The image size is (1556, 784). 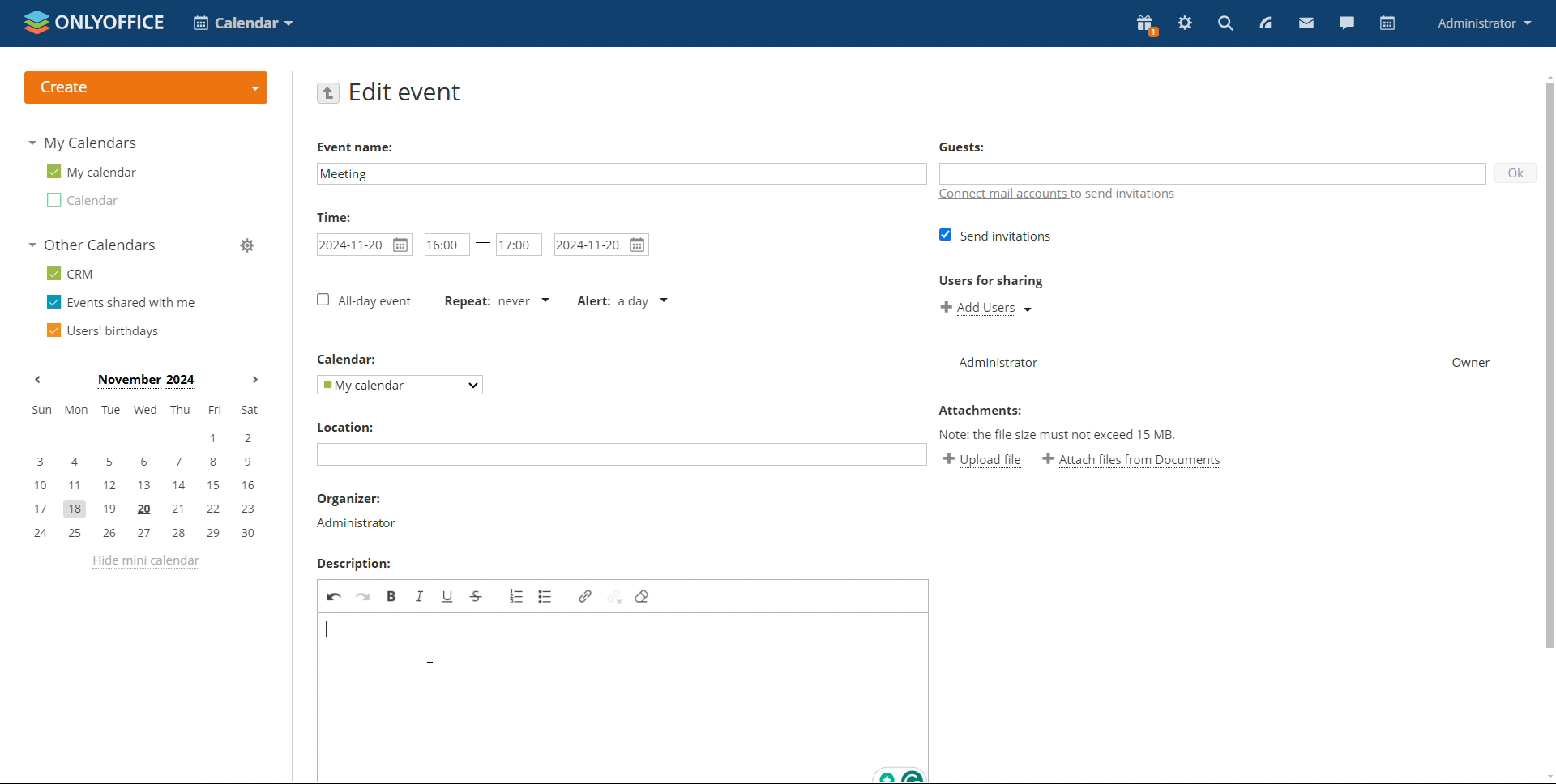 What do you see at coordinates (364, 301) in the screenshot?
I see `all-day event` at bounding box center [364, 301].